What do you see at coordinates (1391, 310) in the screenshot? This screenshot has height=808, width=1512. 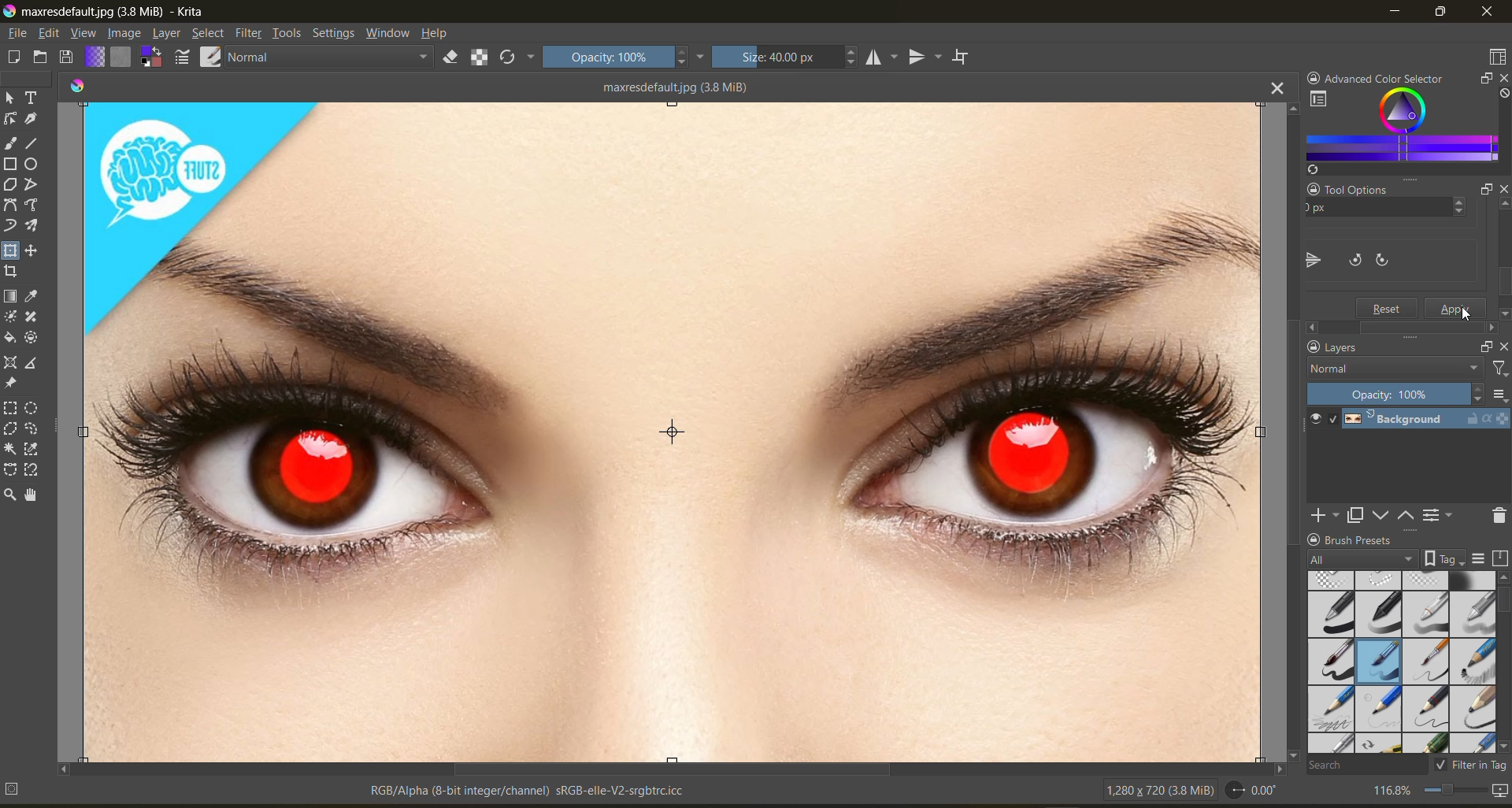 I see `Reset` at bounding box center [1391, 310].